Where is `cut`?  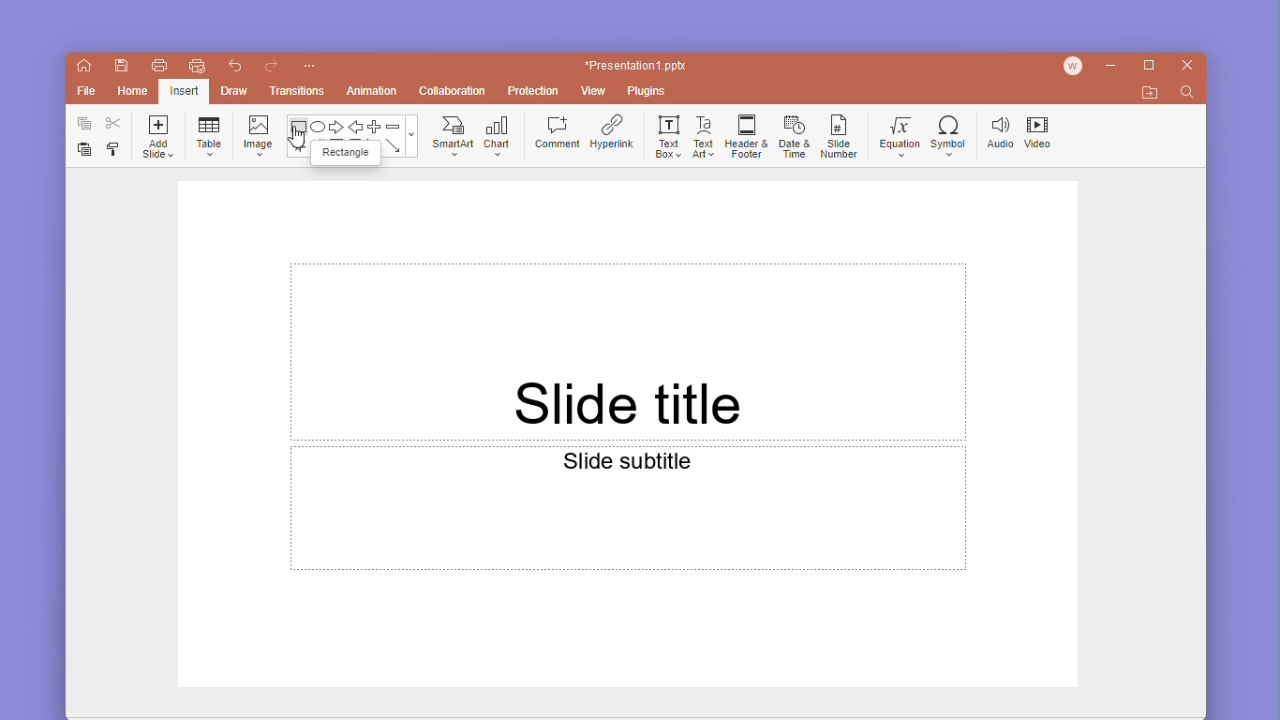
cut is located at coordinates (110, 125).